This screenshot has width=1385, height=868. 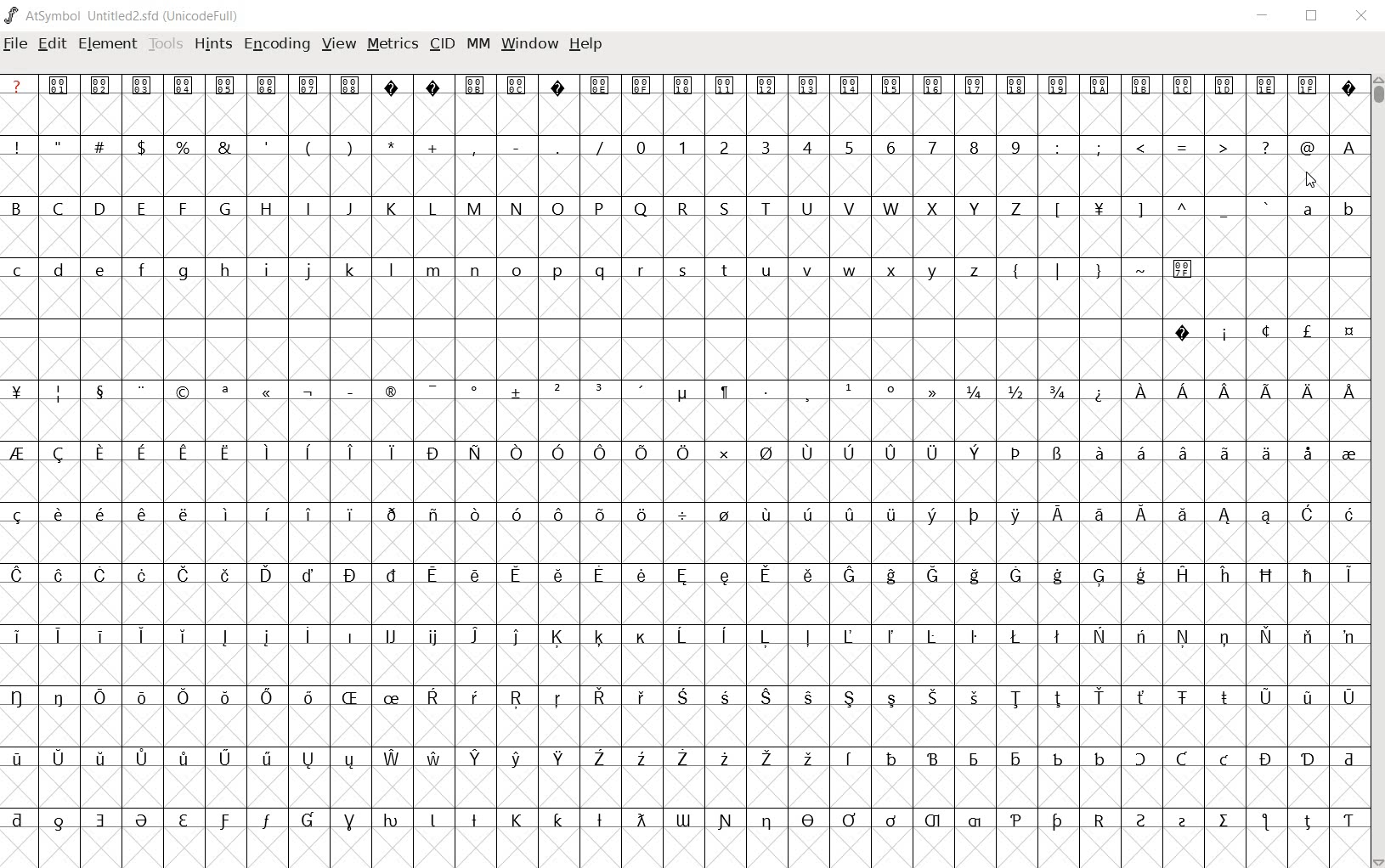 What do you see at coordinates (1314, 19) in the screenshot?
I see `RESTORE DOWN` at bounding box center [1314, 19].